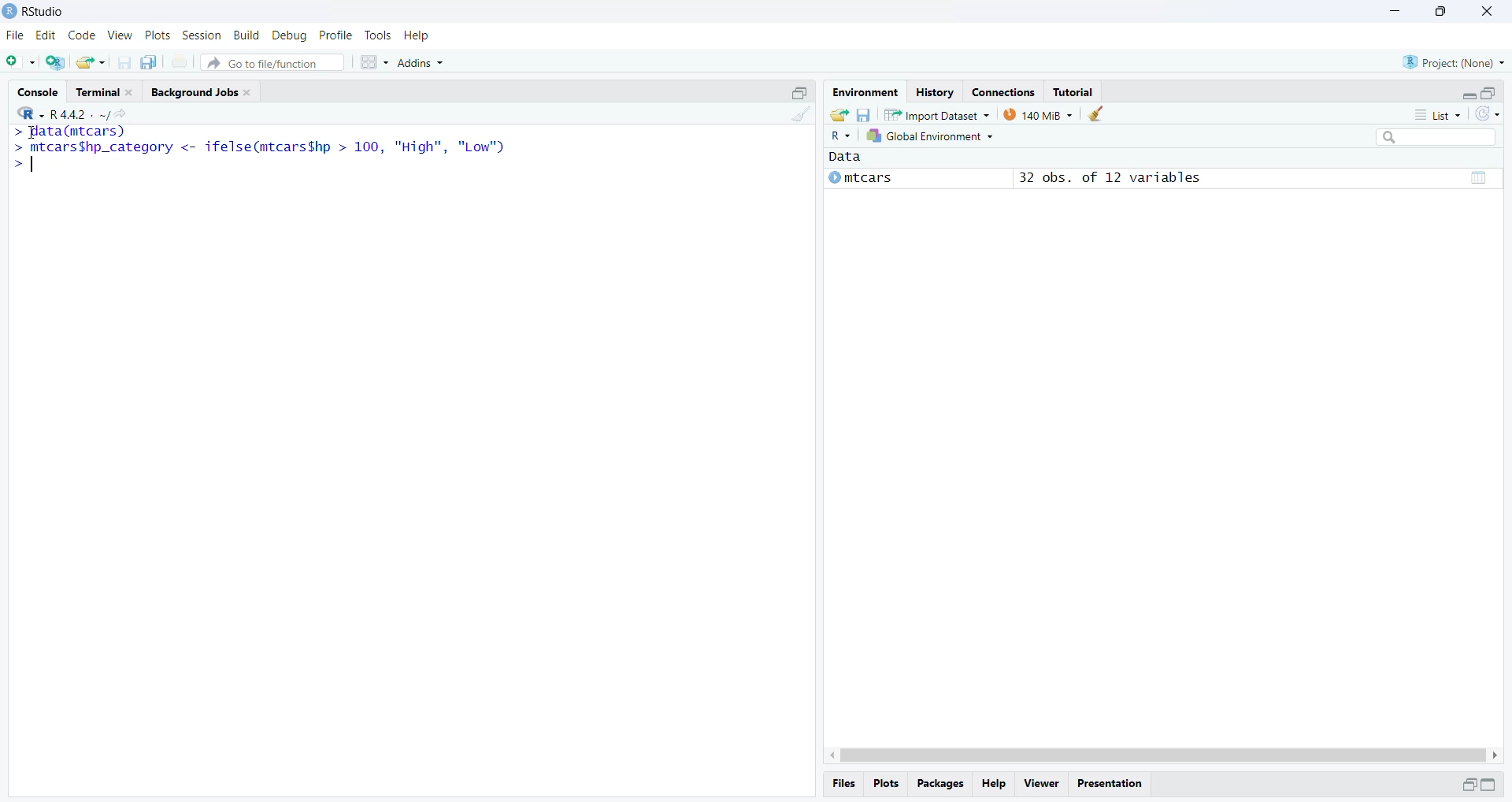  What do you see at coordinates (1160, 753) in the screenshot?
I see `Scrollbar` at bounding box center [1160, 753].